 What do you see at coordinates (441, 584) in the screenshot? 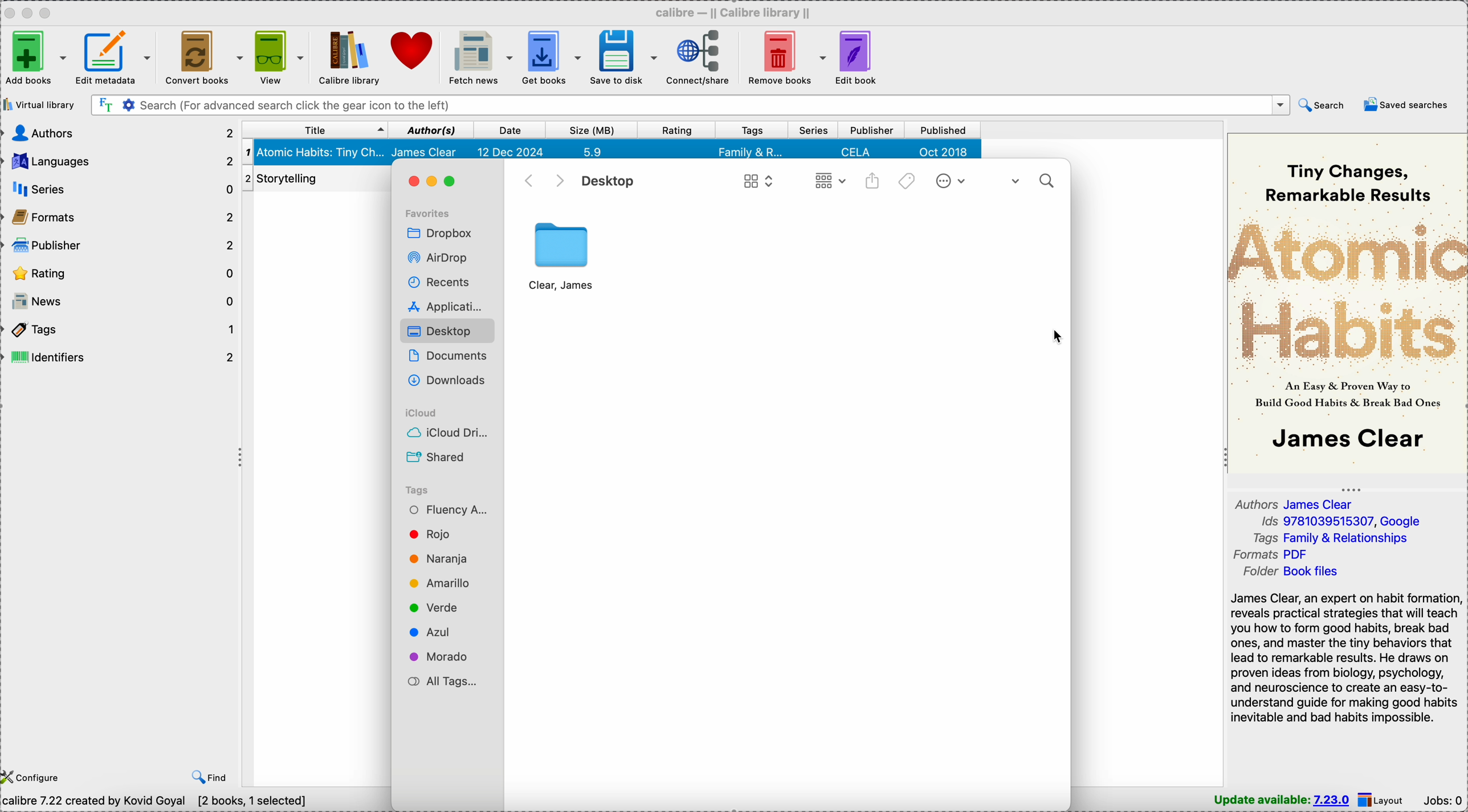
I see `Yellow tag` at bounding box center [441, 584].